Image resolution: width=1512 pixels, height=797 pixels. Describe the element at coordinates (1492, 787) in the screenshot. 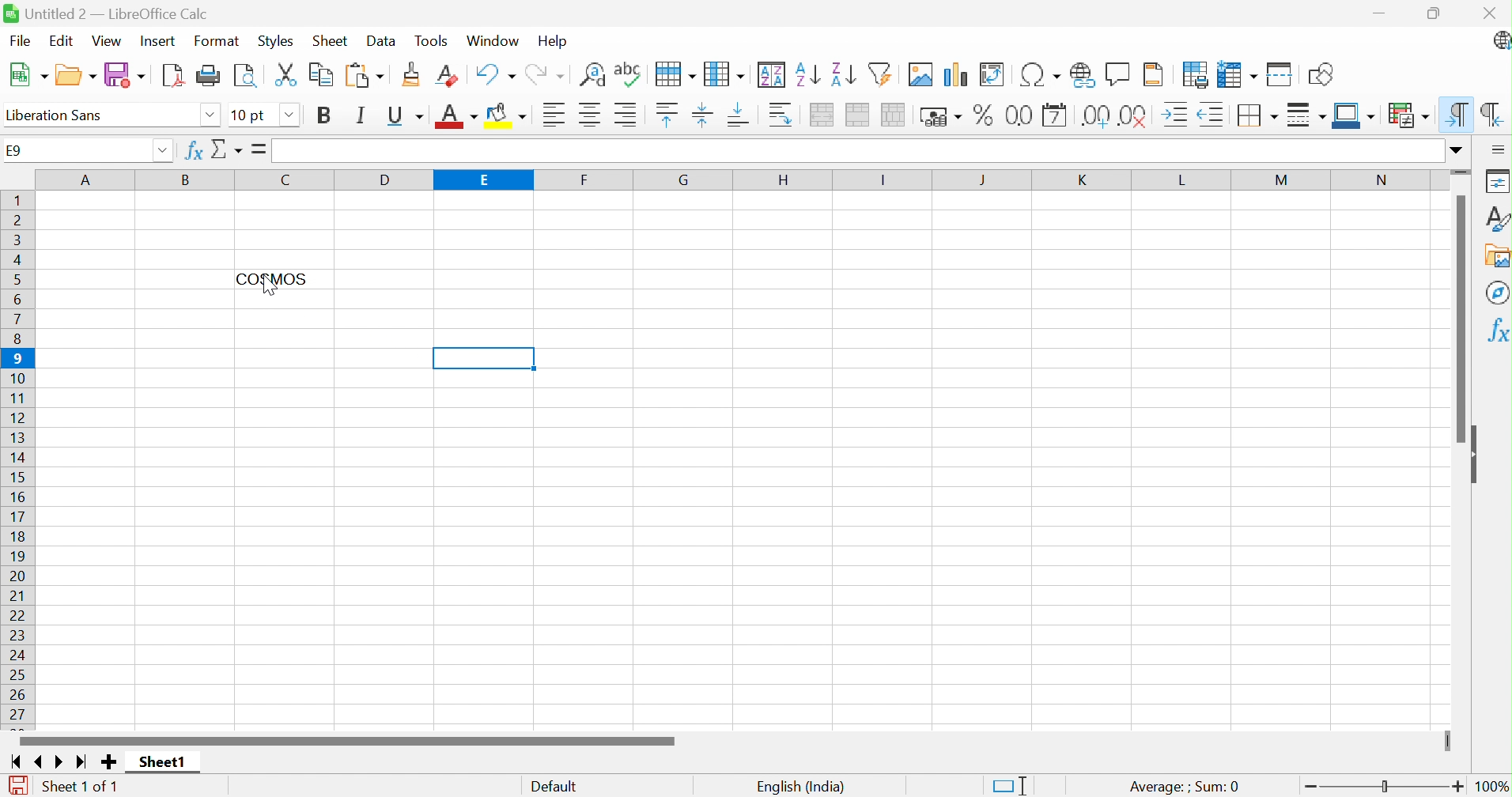

I see `100%` at that location.